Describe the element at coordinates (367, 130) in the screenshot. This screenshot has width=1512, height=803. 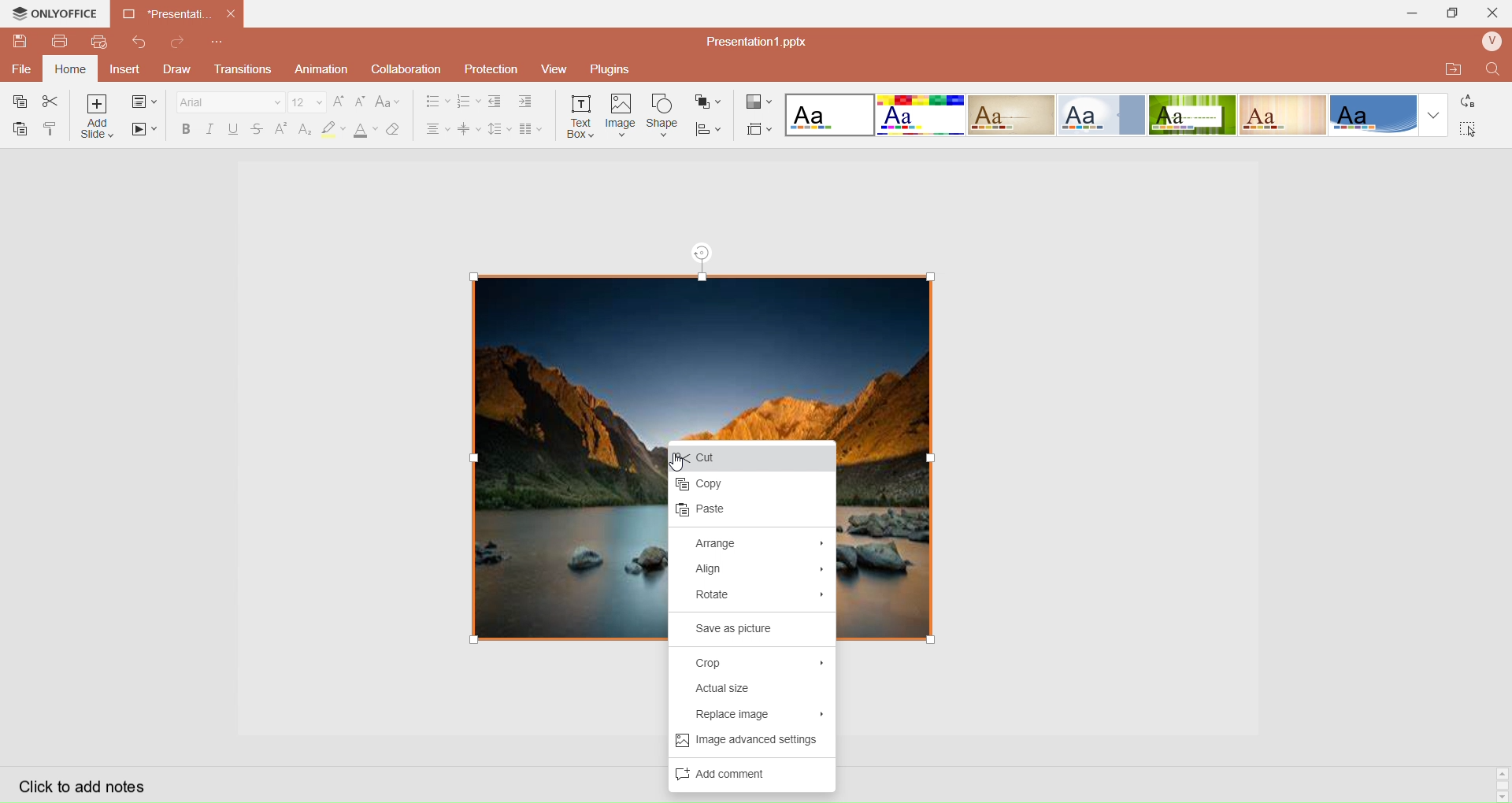
I see `Font Color` at that location.